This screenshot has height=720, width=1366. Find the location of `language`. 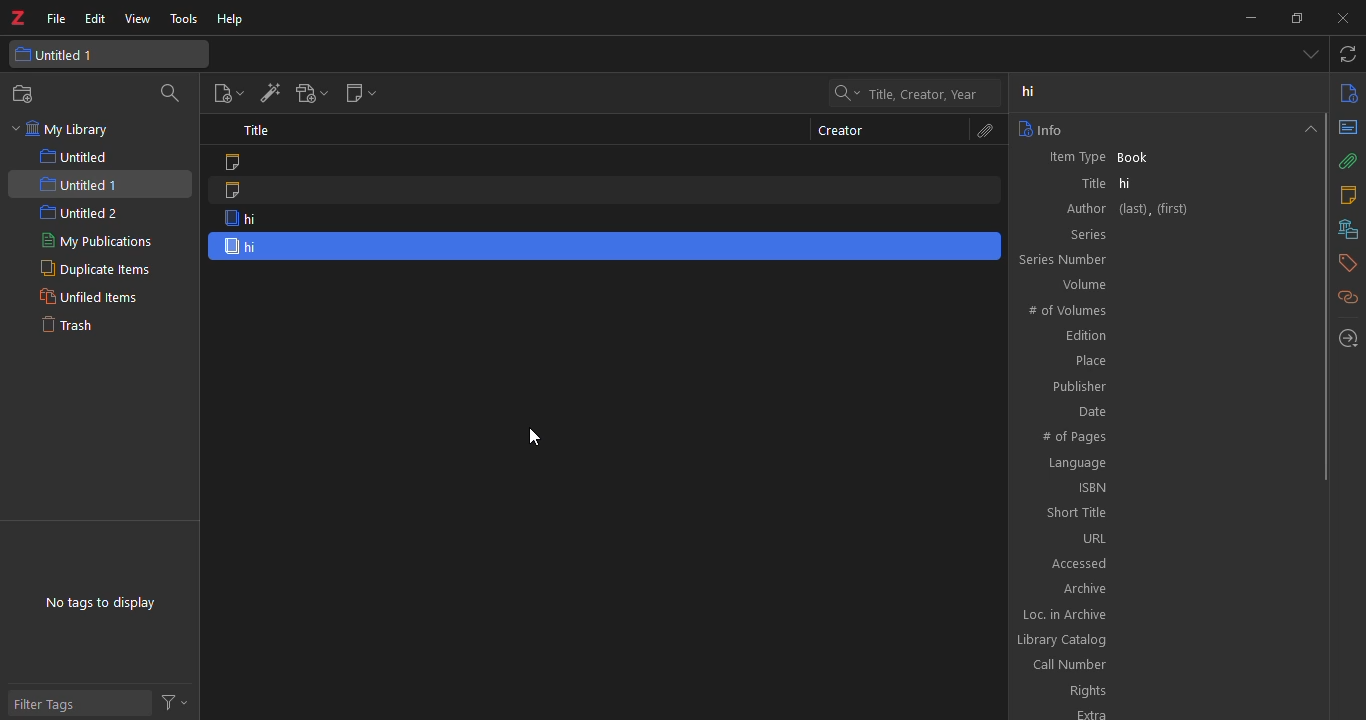

language is located at coordinates (1078, 464).